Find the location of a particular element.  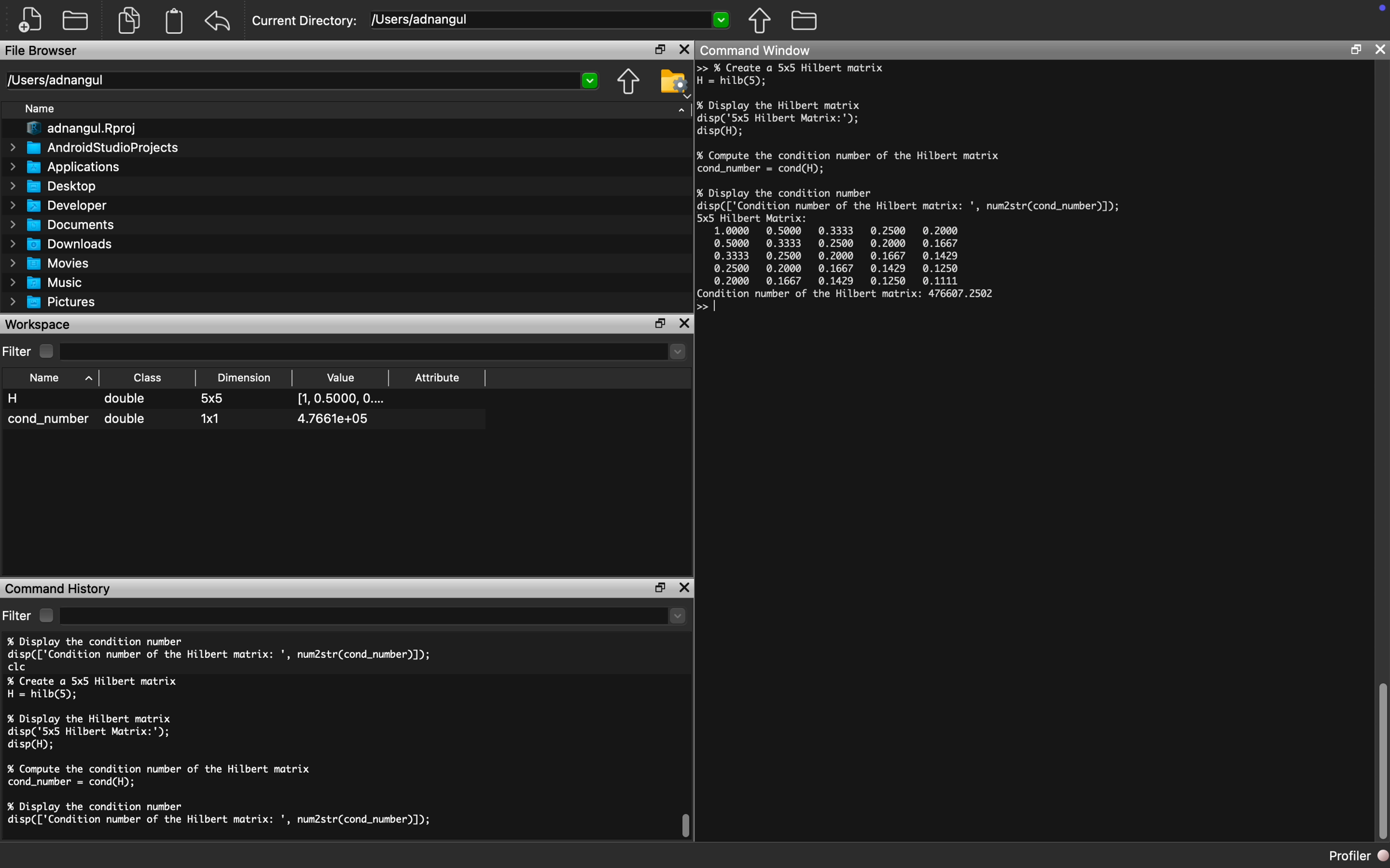

% Display the Hilbert matrix
disp('5x5 Hilbert Matrix:');
disp(H); is located at coordinates (96, 731).